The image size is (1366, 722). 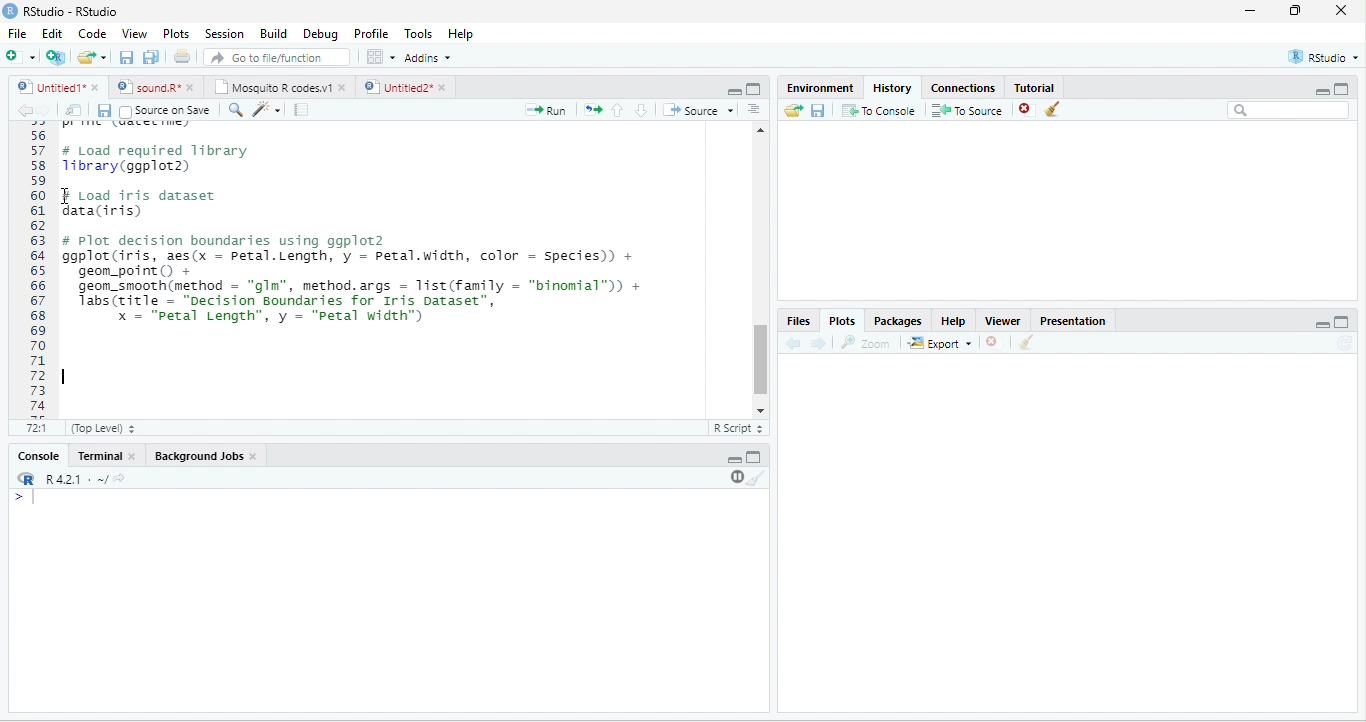 I want to click on # Load iris dataset data(iris), so click(x=145, y=203).